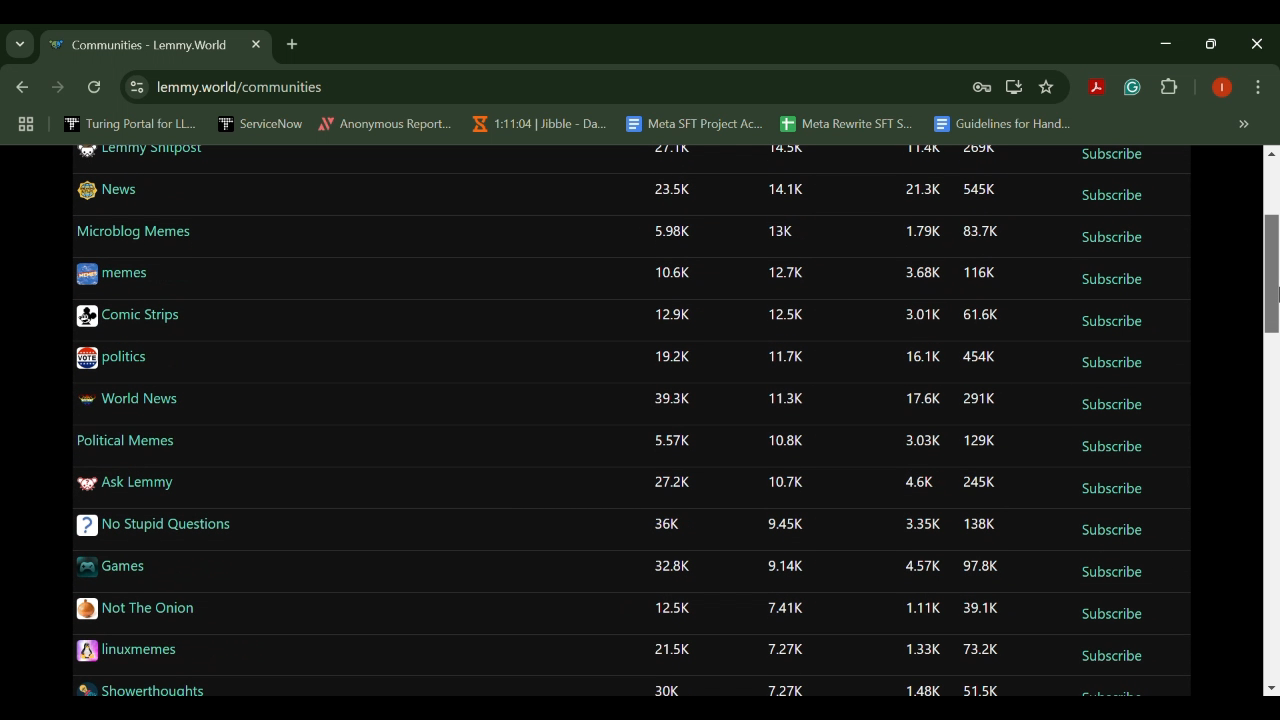  I want to click on 7.27K, so click(784, 650).